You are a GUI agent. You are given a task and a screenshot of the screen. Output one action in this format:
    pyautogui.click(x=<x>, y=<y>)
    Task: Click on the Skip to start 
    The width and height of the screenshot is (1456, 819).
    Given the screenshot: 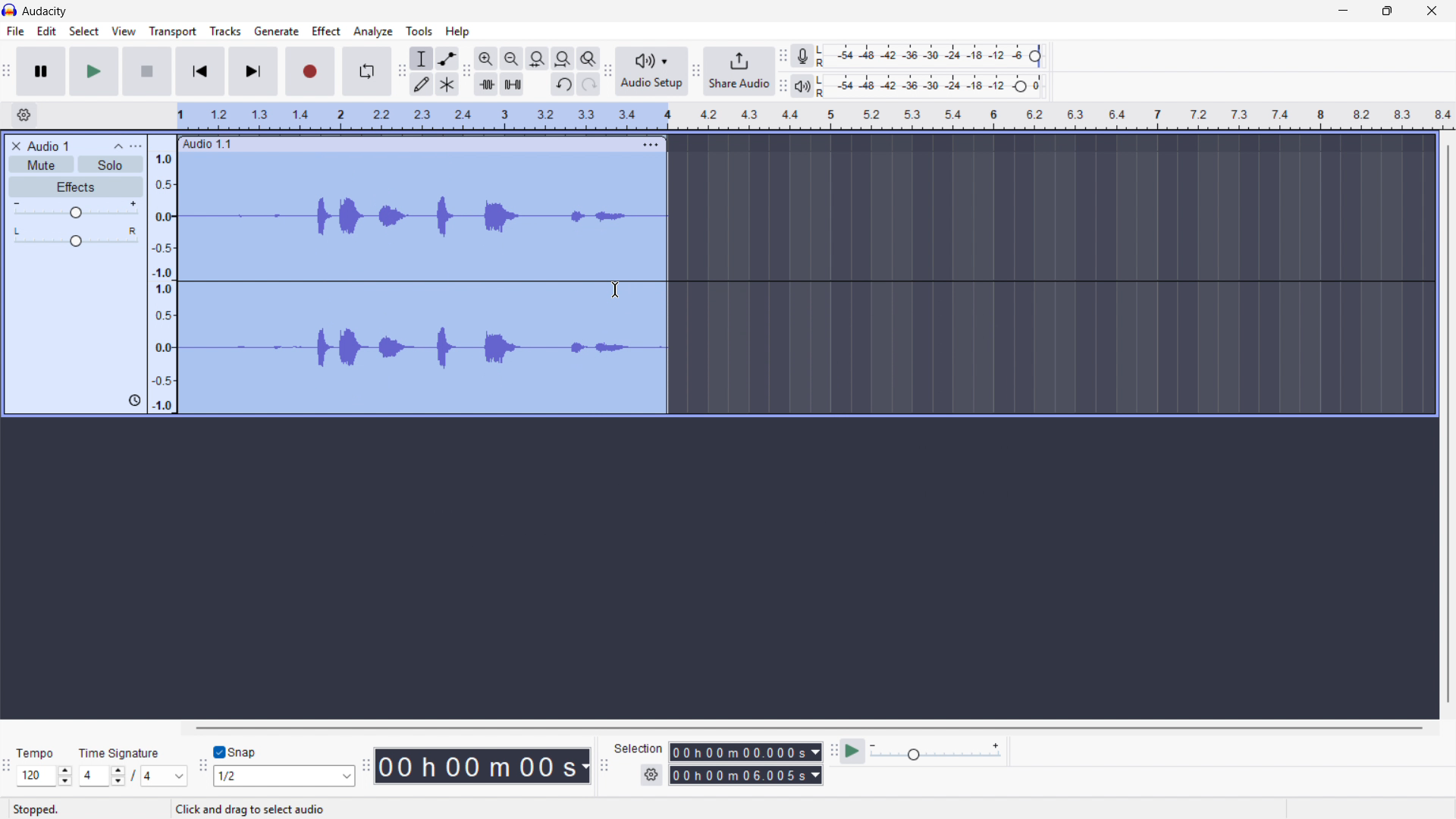 What is the action you would take?
    pyautogui.click(x=199, y=71)
    